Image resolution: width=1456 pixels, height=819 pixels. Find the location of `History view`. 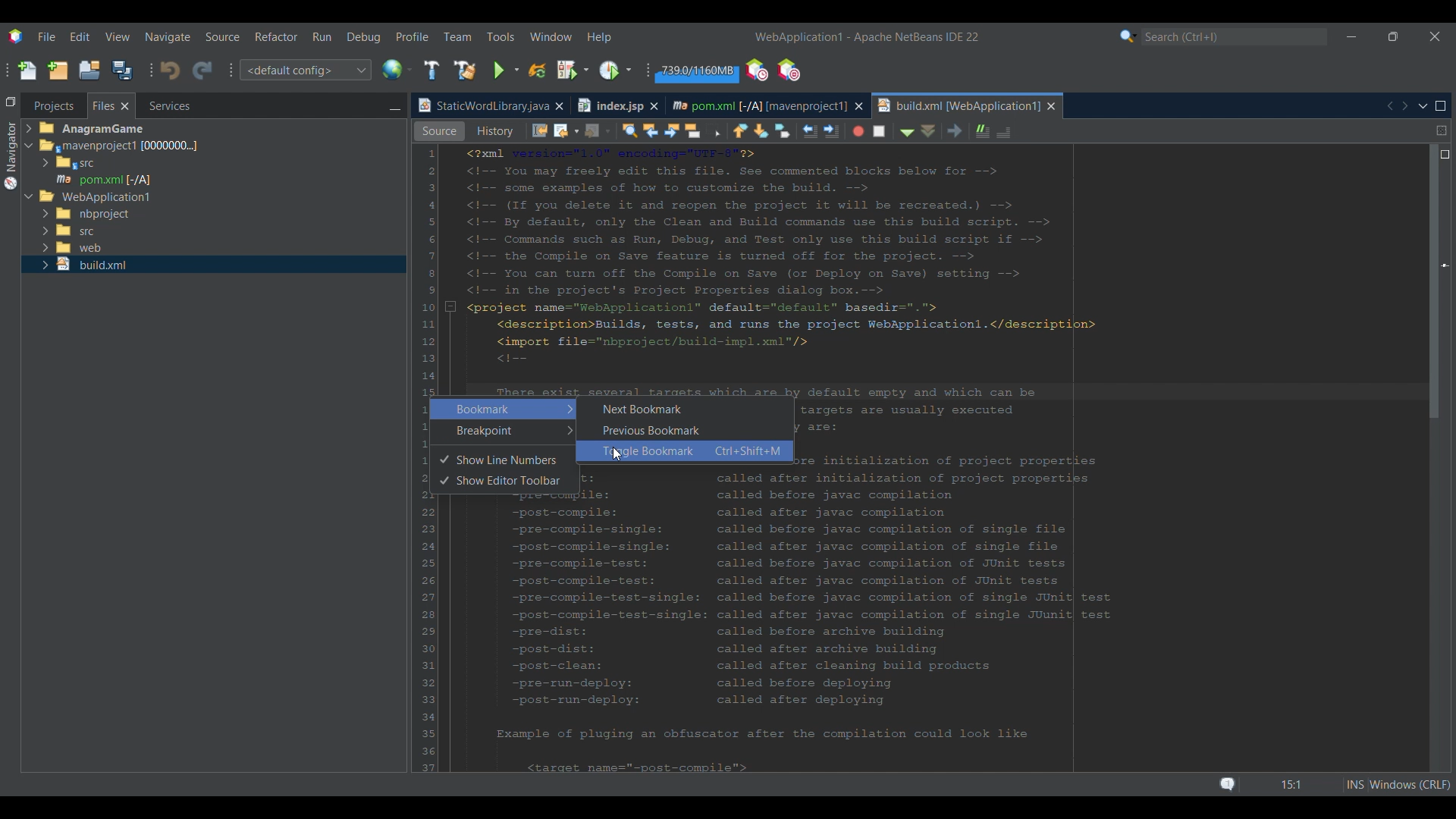

History view is located at coordinates (624, 129).